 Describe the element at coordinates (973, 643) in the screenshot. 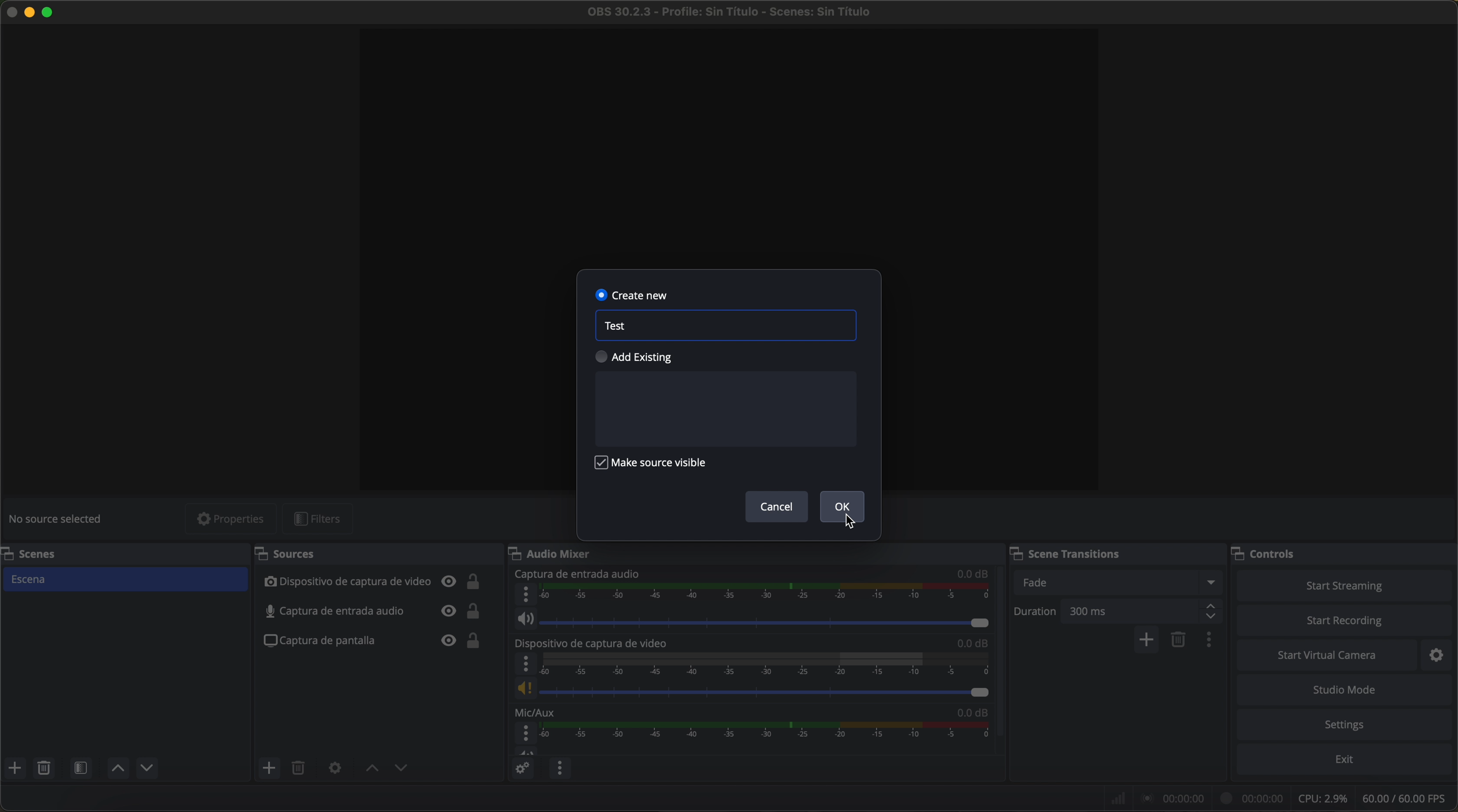

I see `0.0 dB` at that location.